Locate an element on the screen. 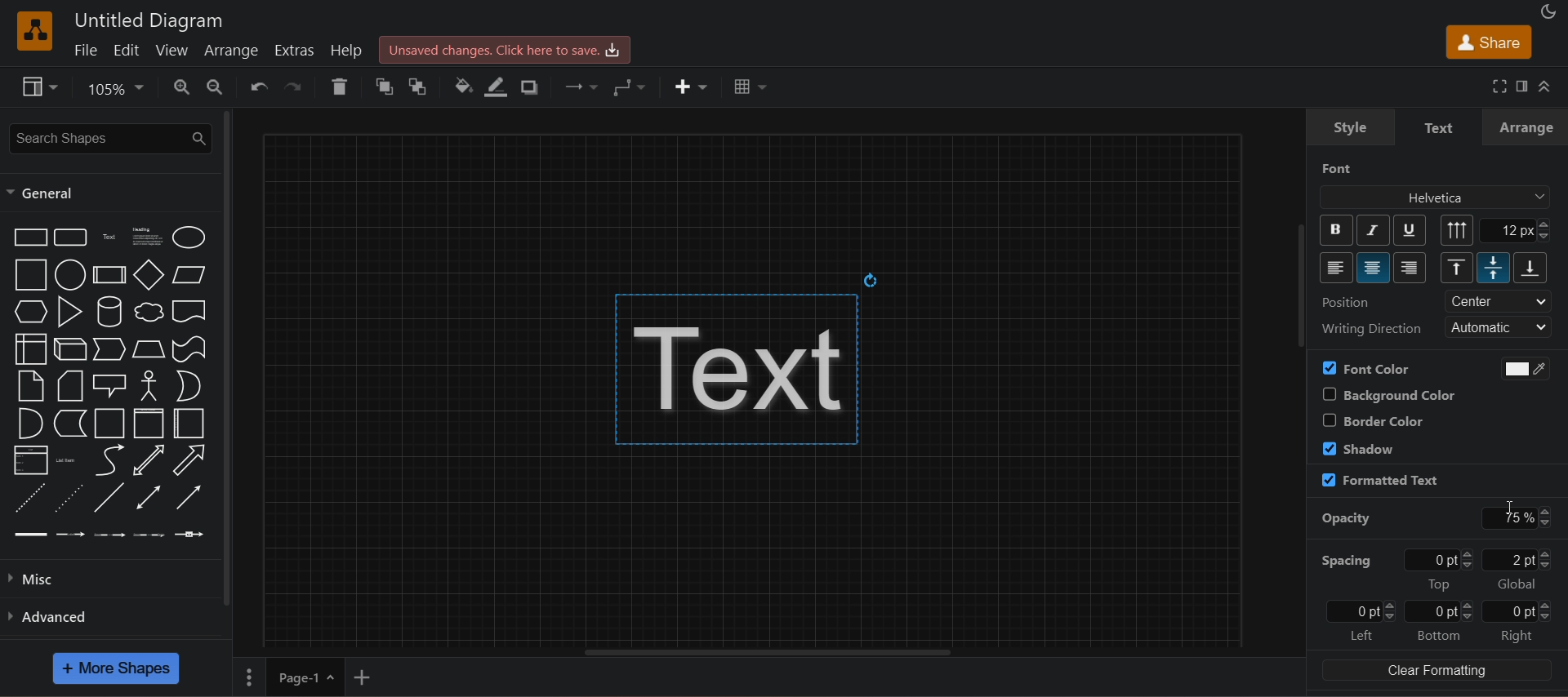 The image size is (1568, 697). arrange is located at coordinates (1526, 127).